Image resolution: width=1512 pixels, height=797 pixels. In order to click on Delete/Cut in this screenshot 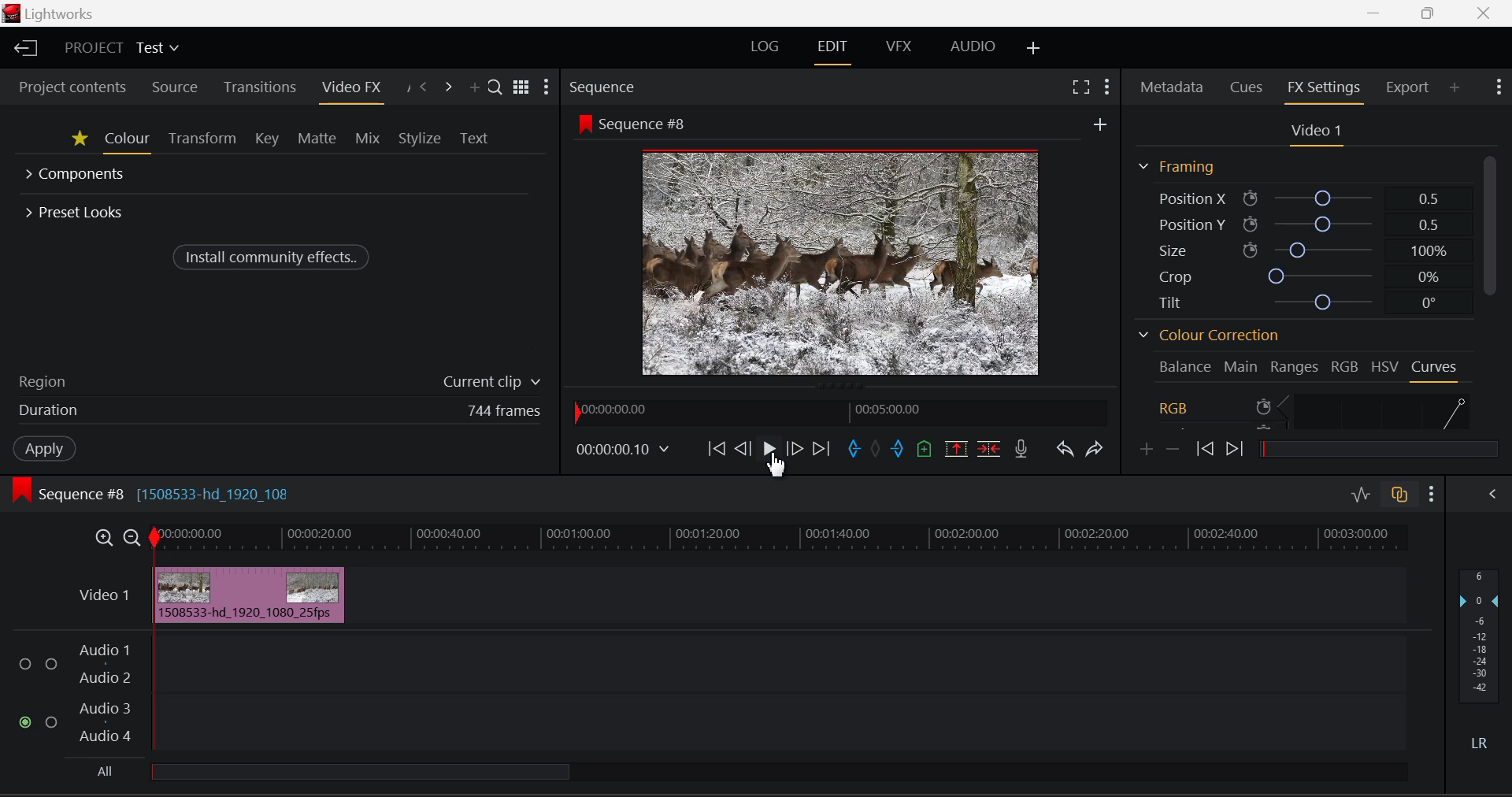, I will do `click(989, 449)`.